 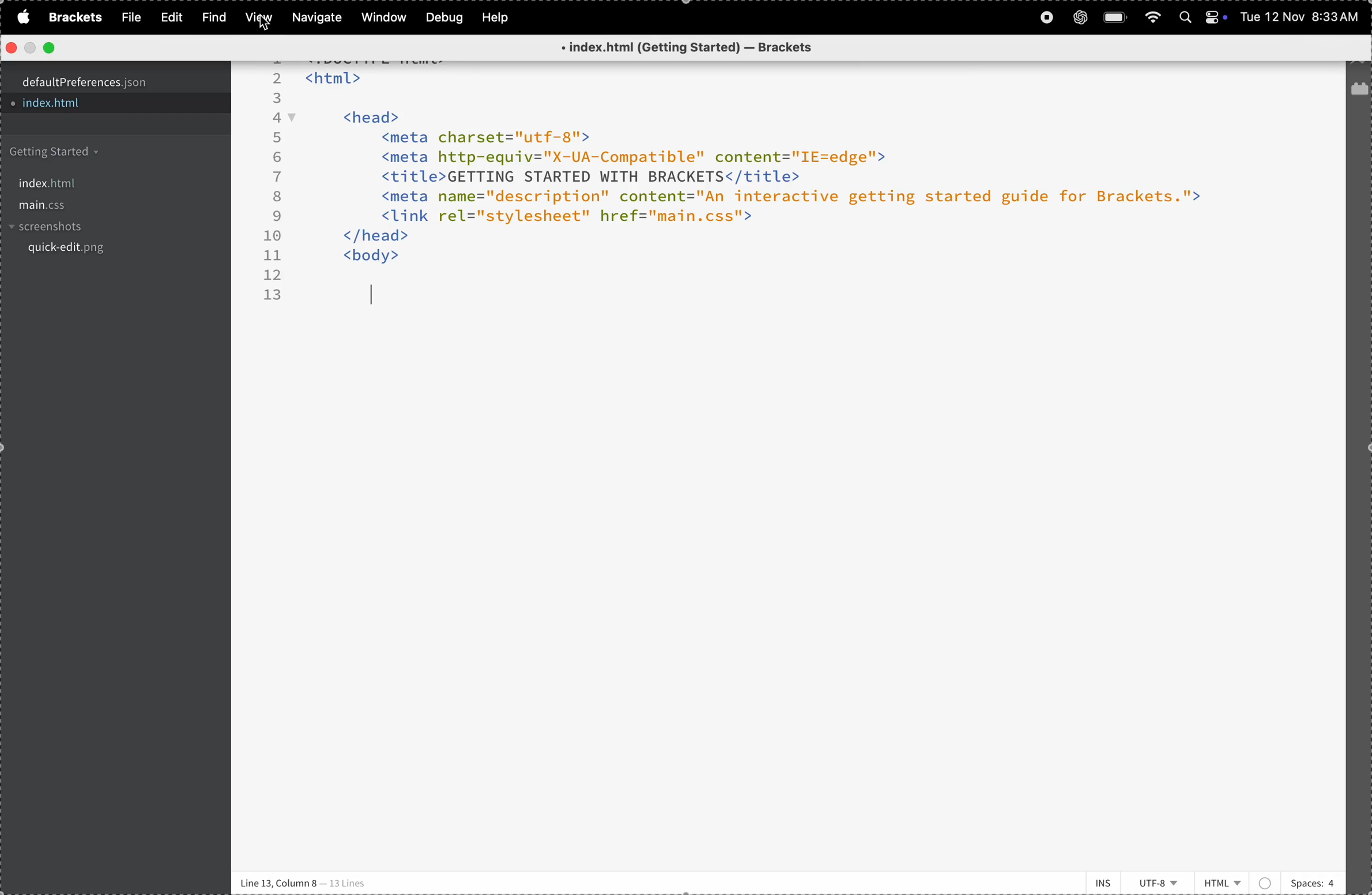 I want to click on file, so click(x=128, y=17).